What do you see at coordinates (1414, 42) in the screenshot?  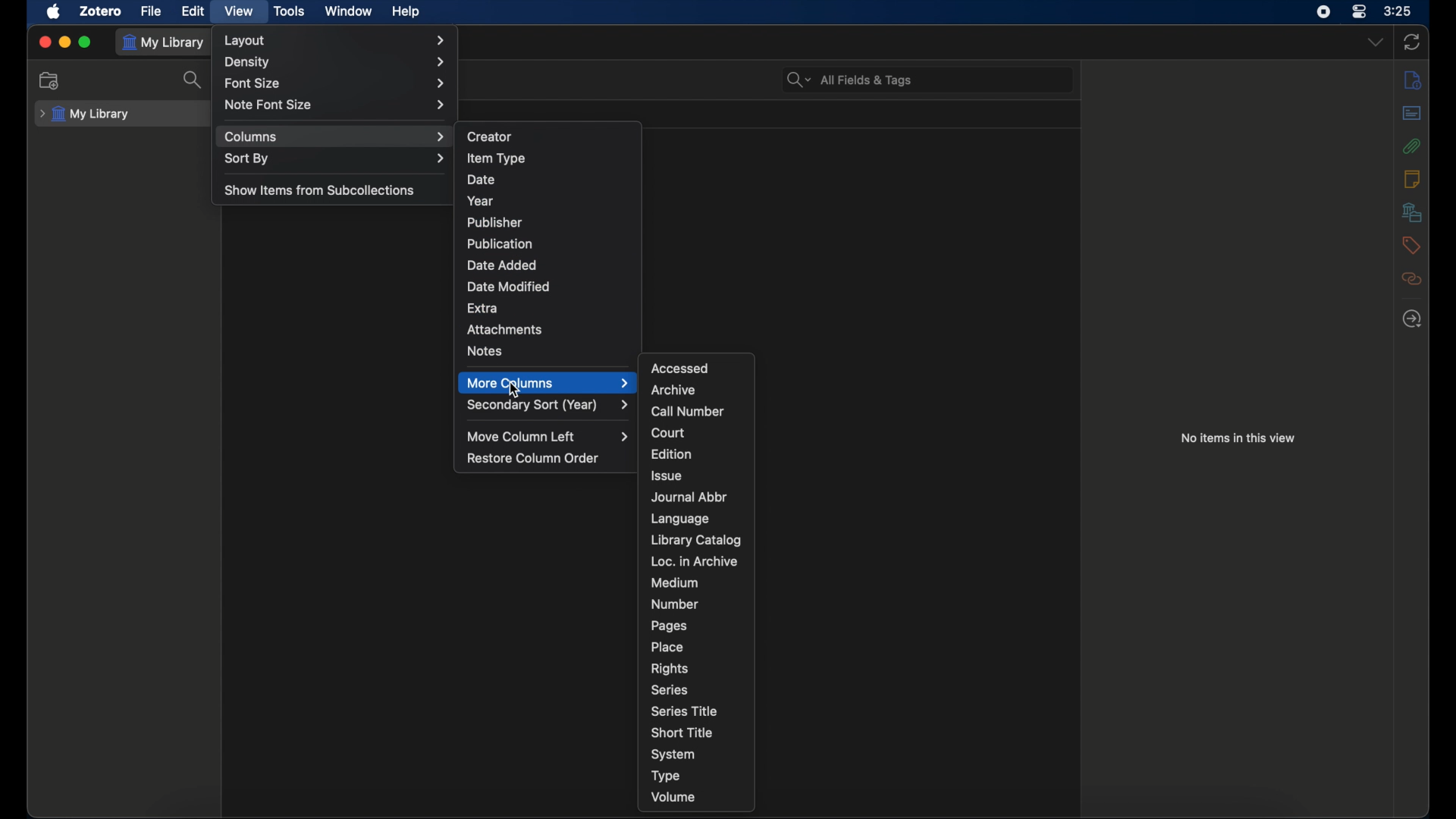 I see `sync` at bounding box center [1414, 42].